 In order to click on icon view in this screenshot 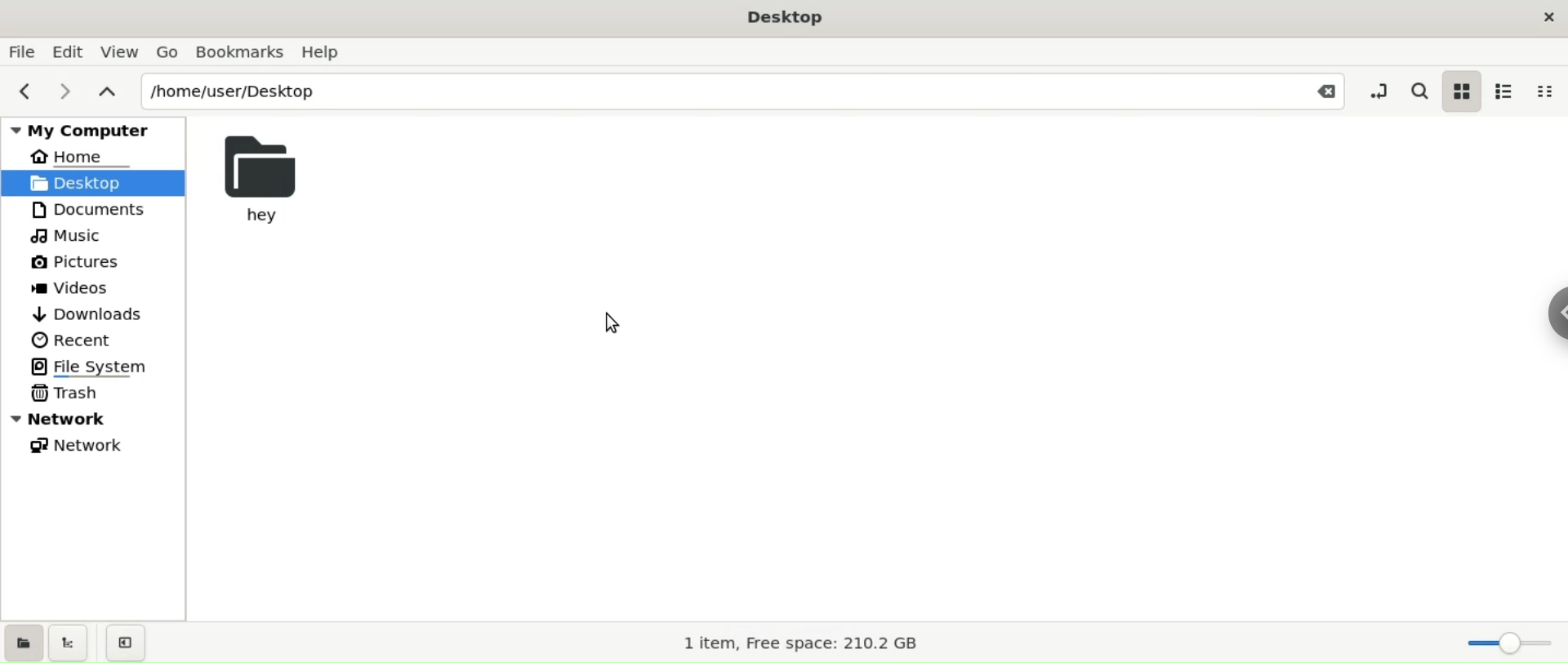, I will do `click(1463, 93)`.